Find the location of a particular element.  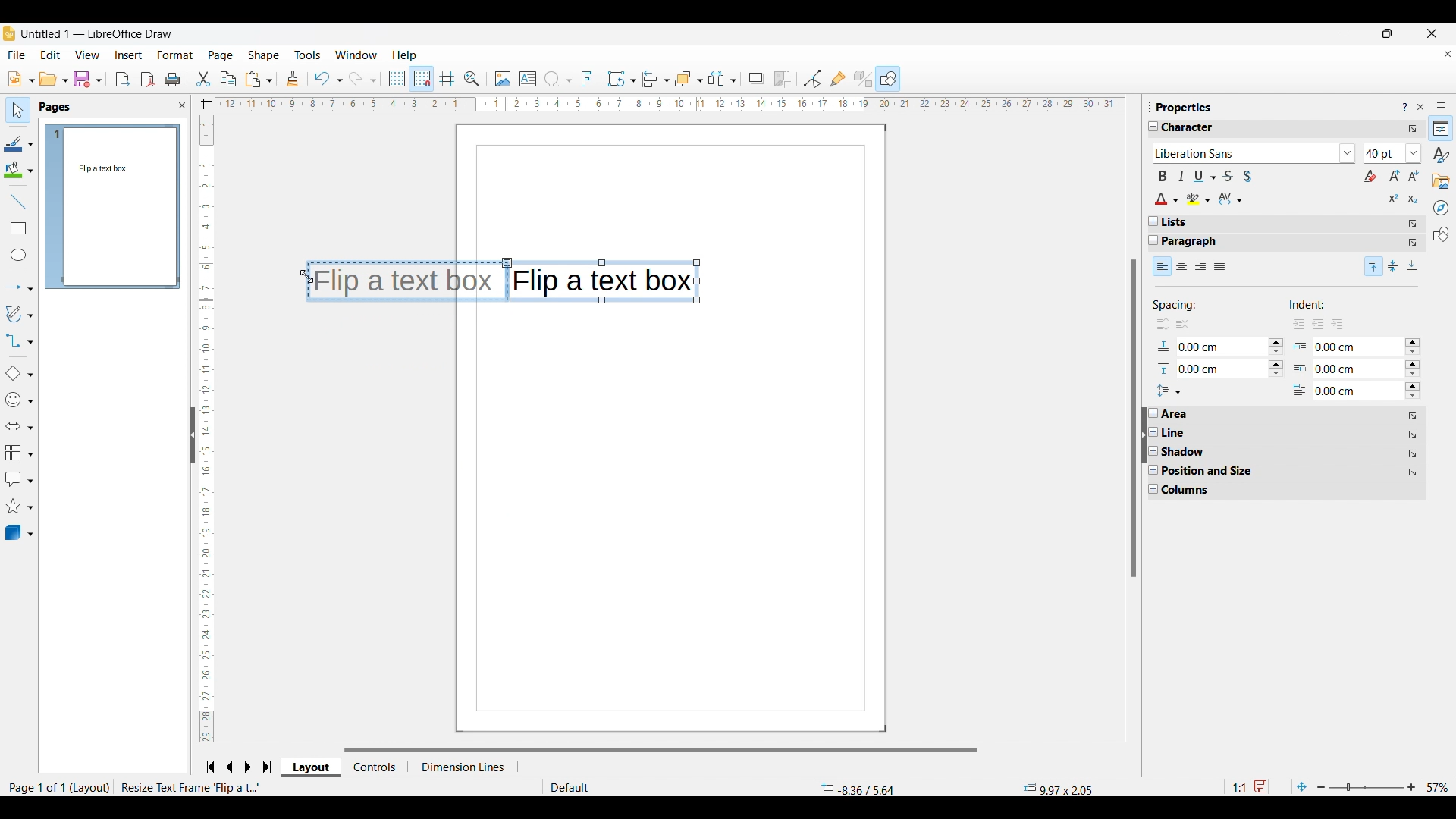

Shadow property is located at coordinates (1207, 452).